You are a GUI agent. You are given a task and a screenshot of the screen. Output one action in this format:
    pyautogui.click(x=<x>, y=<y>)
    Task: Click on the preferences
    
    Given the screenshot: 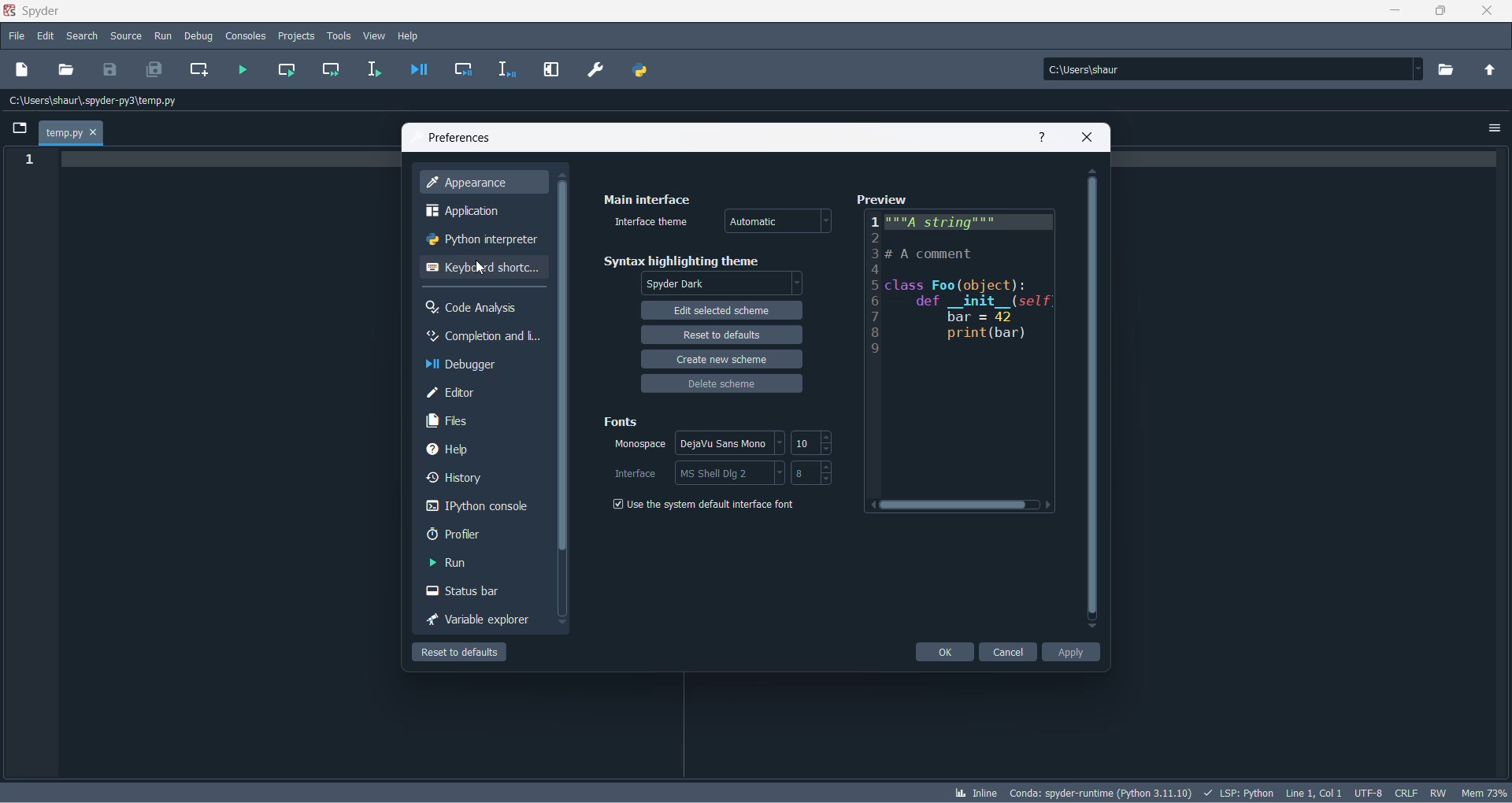 What is the action you would take?
    pyautogui.click(x=459, y=137)
    